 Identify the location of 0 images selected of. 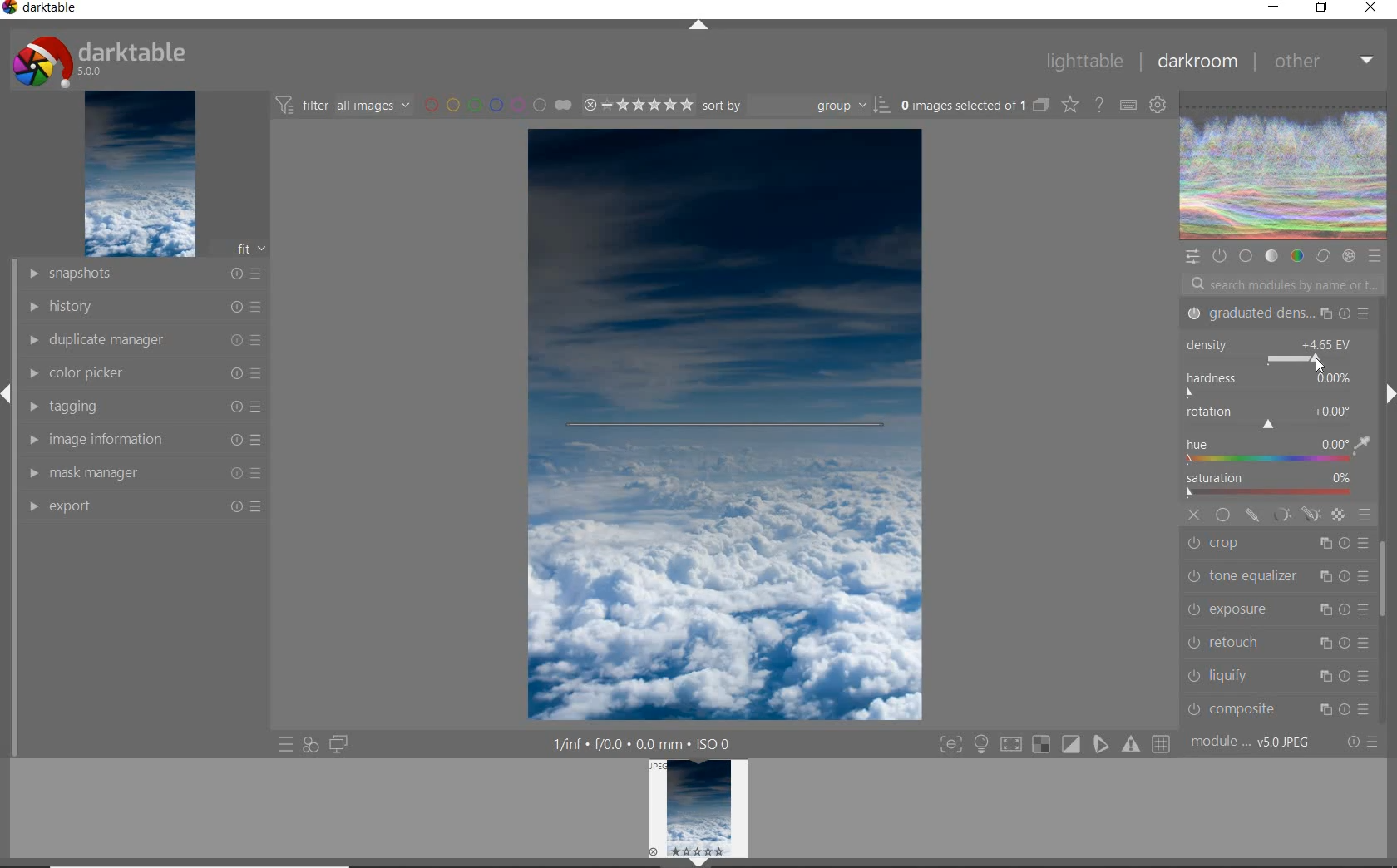
(961, 104).